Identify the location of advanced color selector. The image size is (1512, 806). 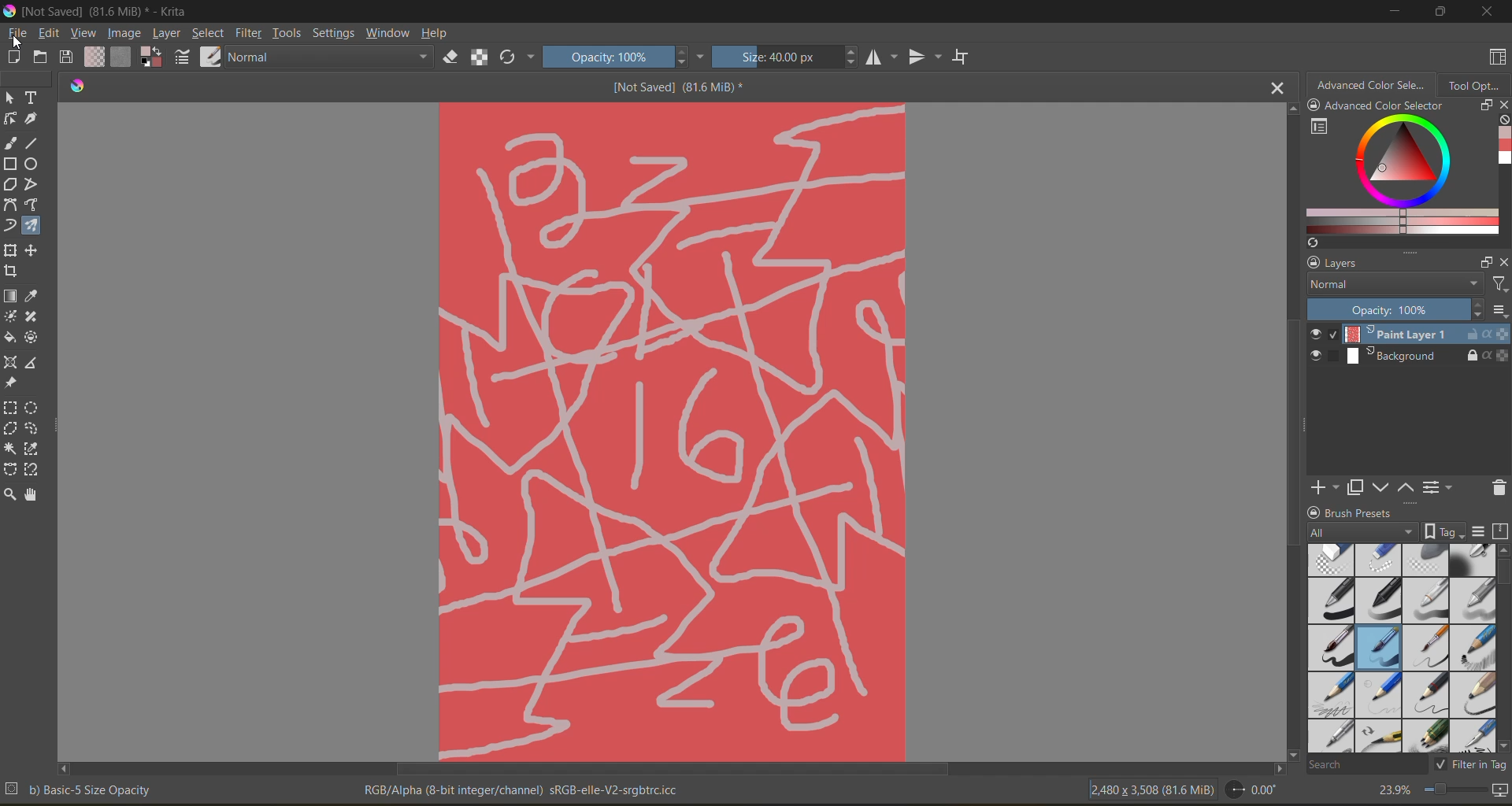
(1371, 83).